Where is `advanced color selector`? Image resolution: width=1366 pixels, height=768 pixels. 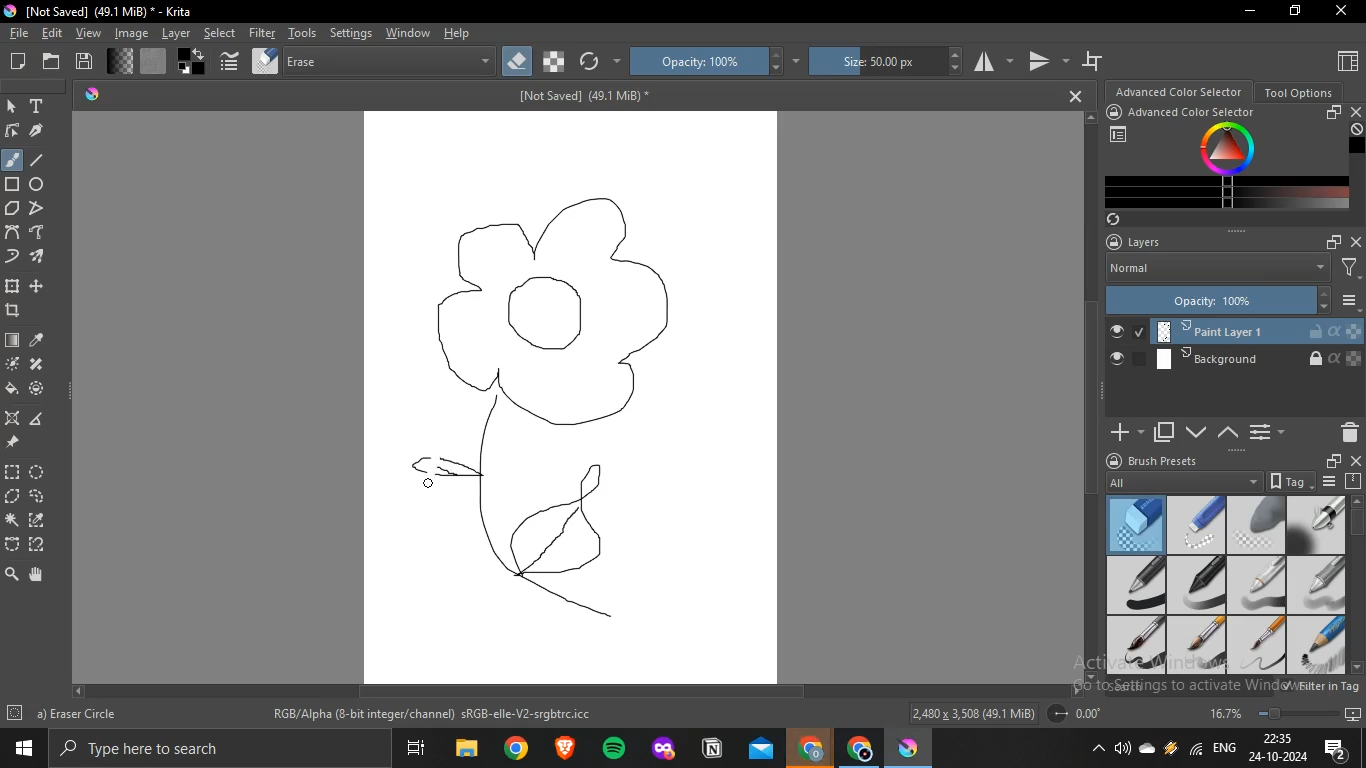
advanced color selector is located at coordinates (1180, 91).